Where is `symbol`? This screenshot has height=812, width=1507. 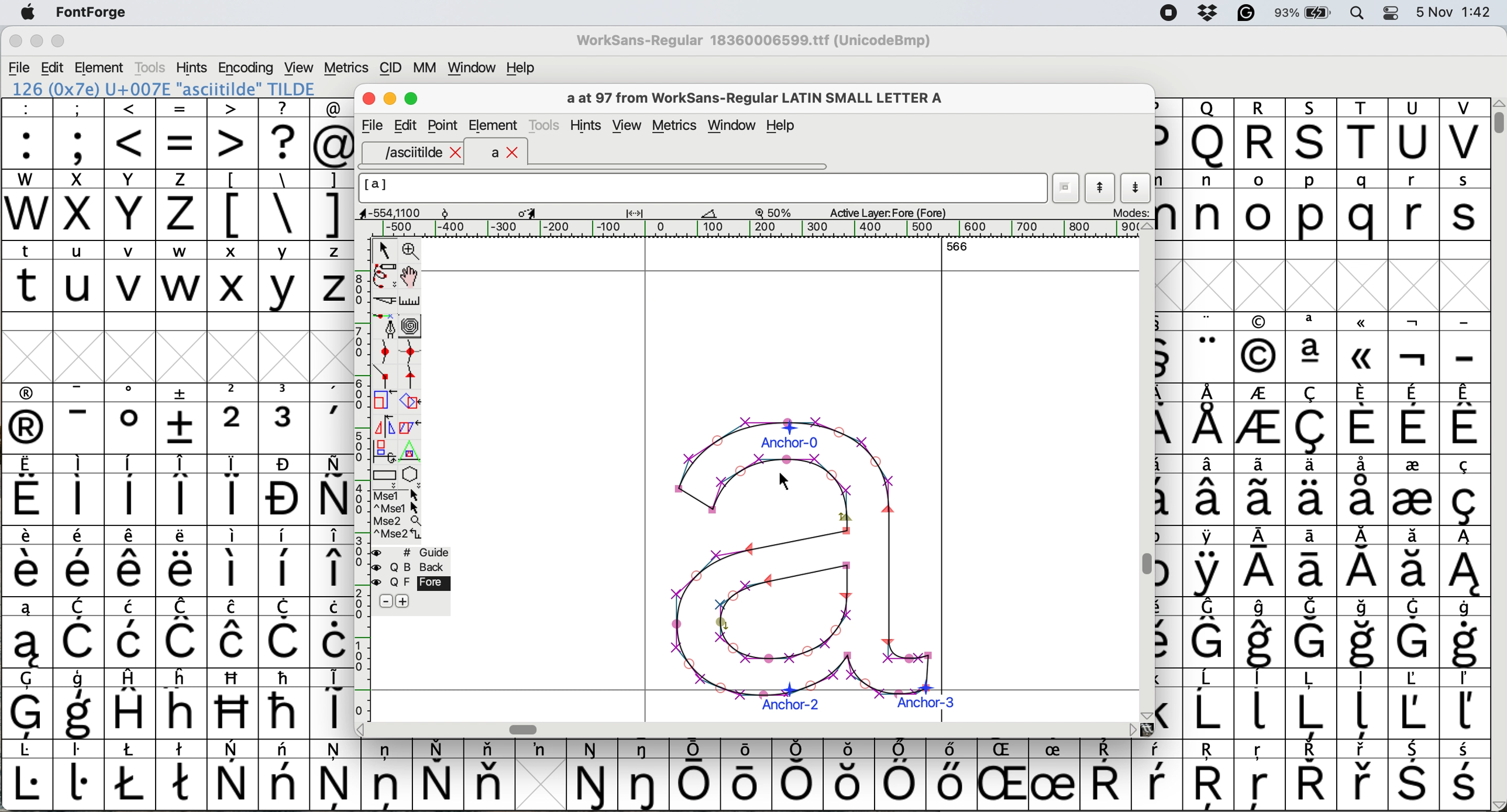 symbol is located at coordinates (285, 775).